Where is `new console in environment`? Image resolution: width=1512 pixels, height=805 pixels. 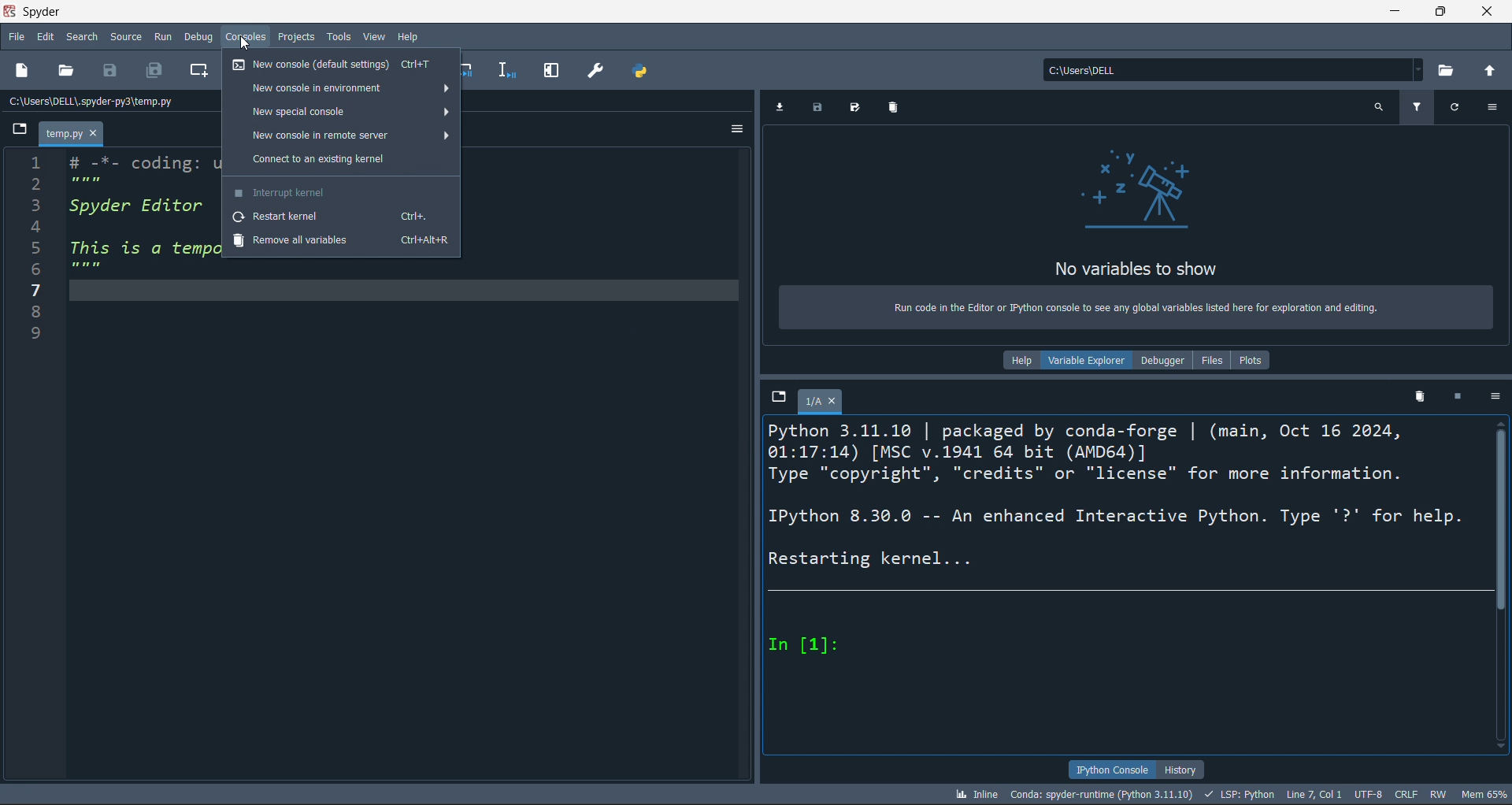
new console in environment is located at coordinates (341, 86).